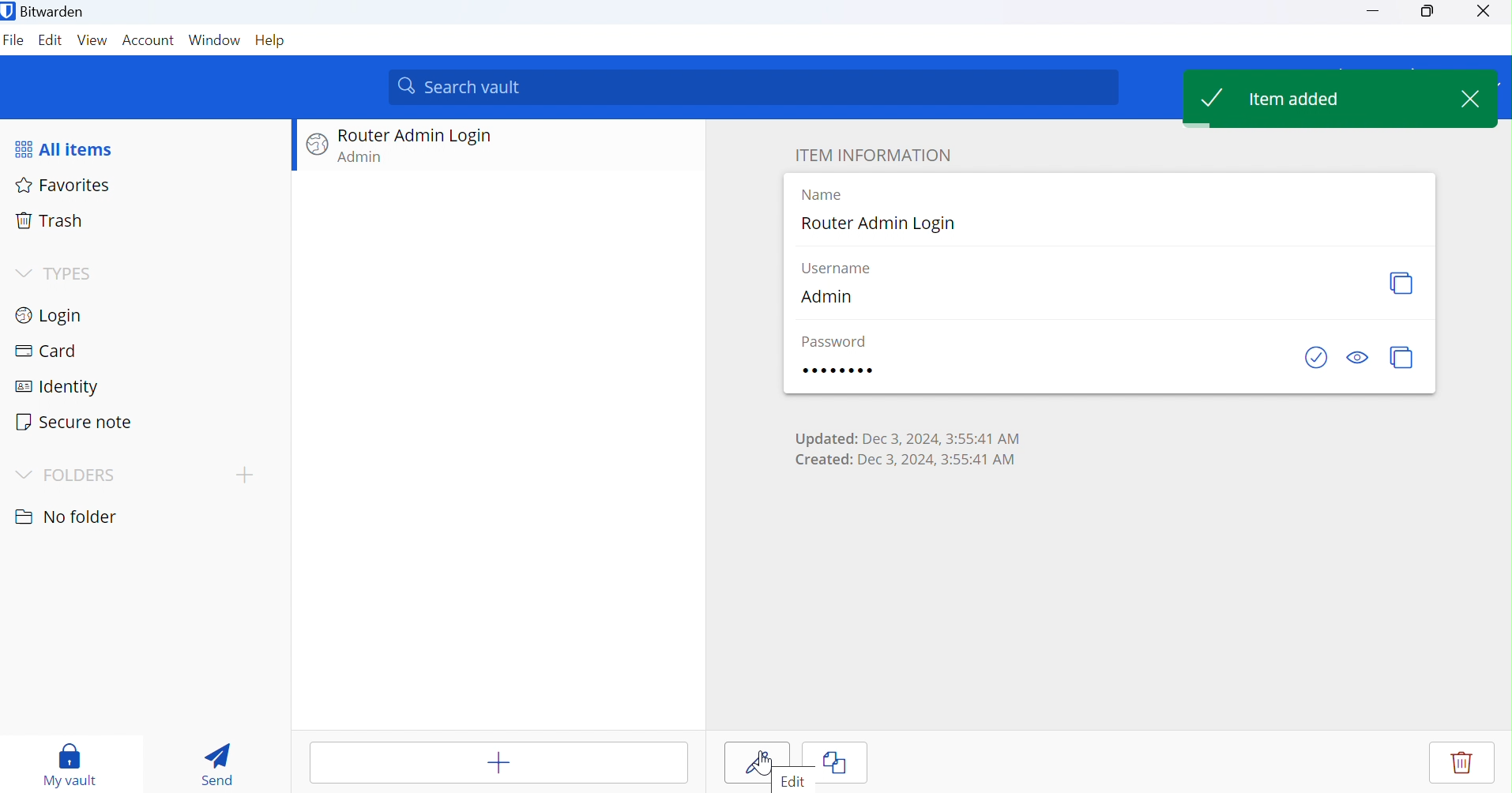  I want to click on FOLDERS, so click(89, 475).